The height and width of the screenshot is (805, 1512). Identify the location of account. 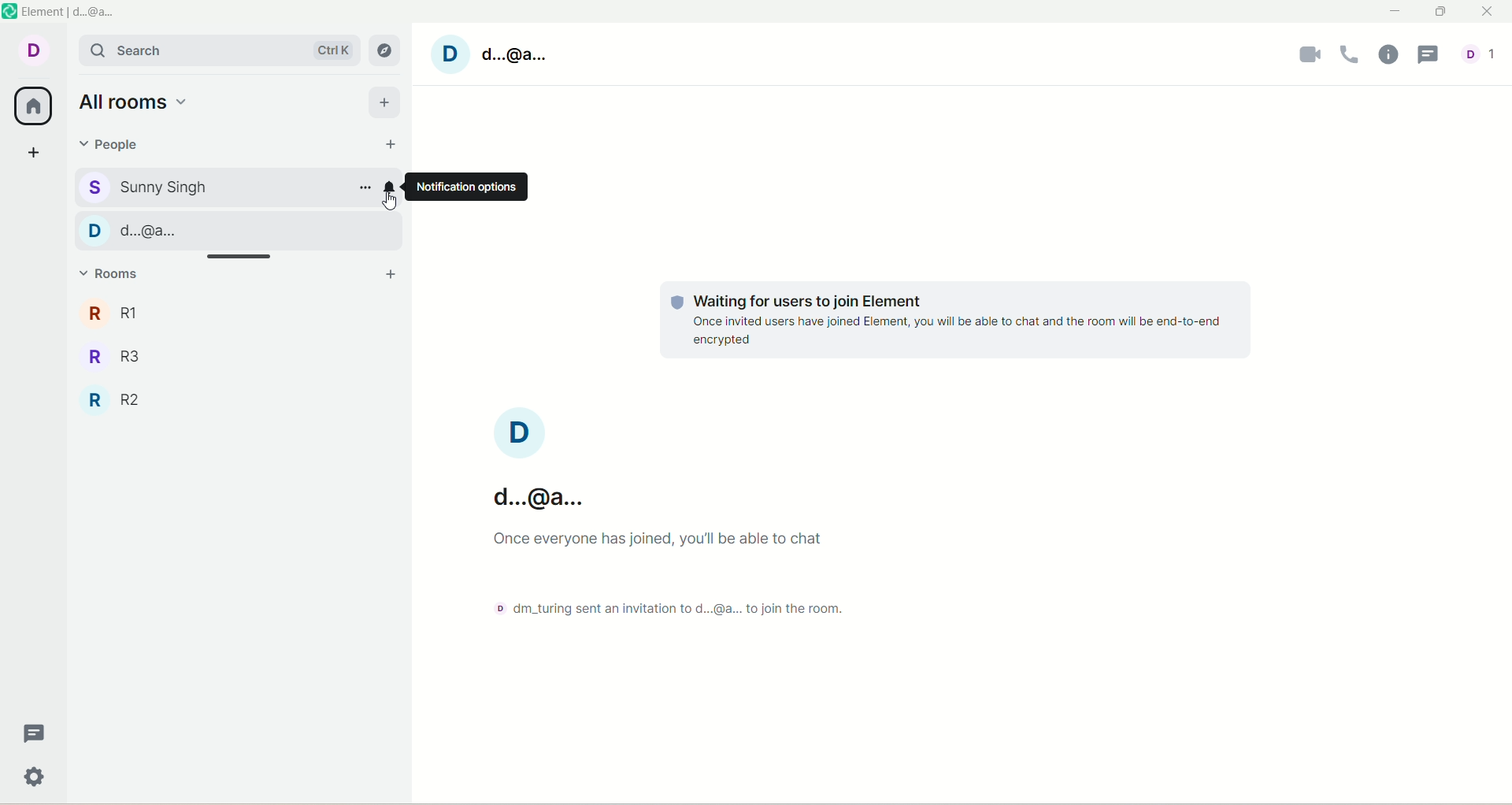
(524, 460).